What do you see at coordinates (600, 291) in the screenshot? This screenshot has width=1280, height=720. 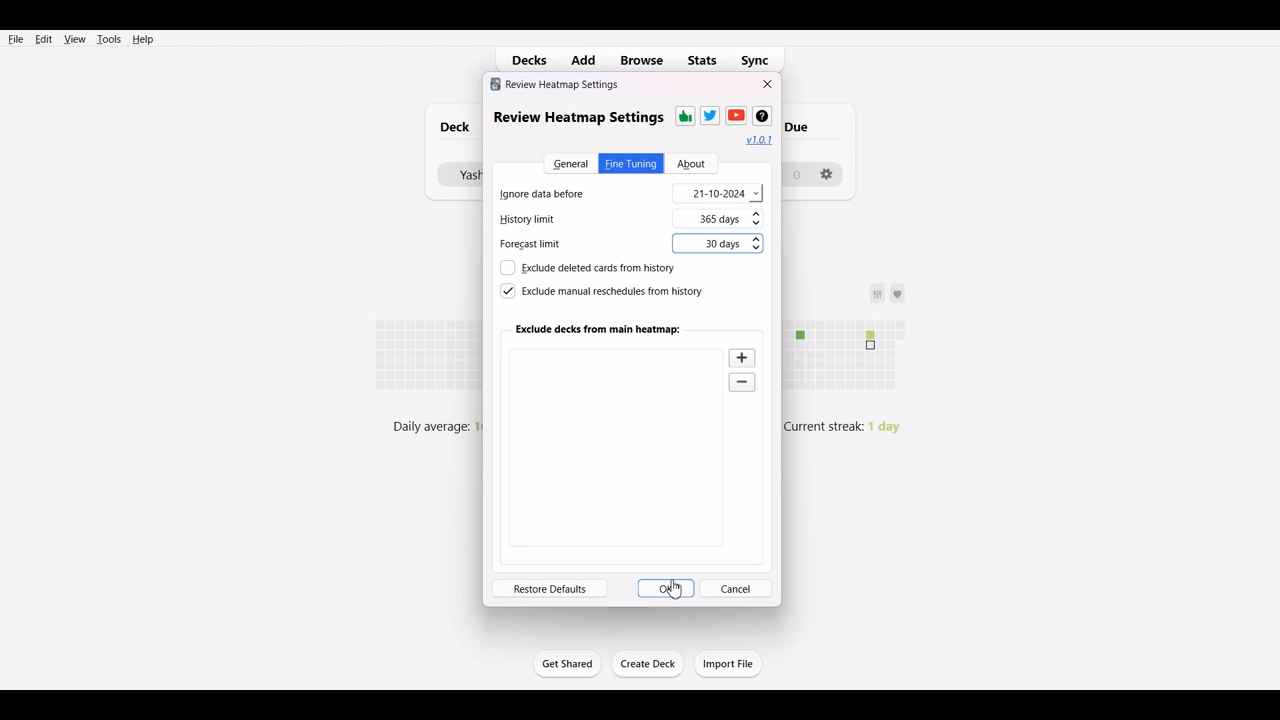 I see `Exclude manual reschedule from history` at bounding box center [600, 291].